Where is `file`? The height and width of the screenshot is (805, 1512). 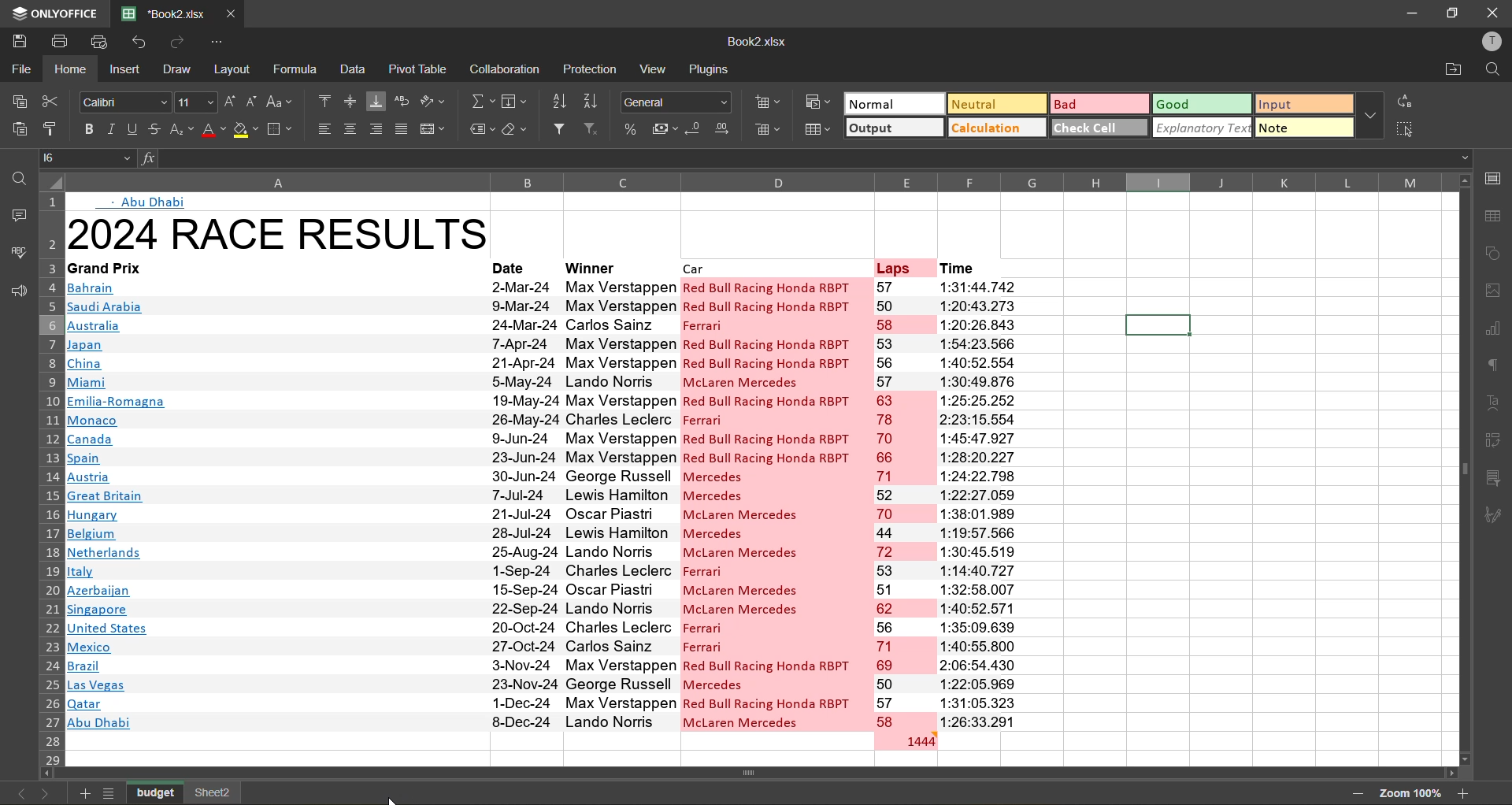 file is located at coordinates (20, 68).